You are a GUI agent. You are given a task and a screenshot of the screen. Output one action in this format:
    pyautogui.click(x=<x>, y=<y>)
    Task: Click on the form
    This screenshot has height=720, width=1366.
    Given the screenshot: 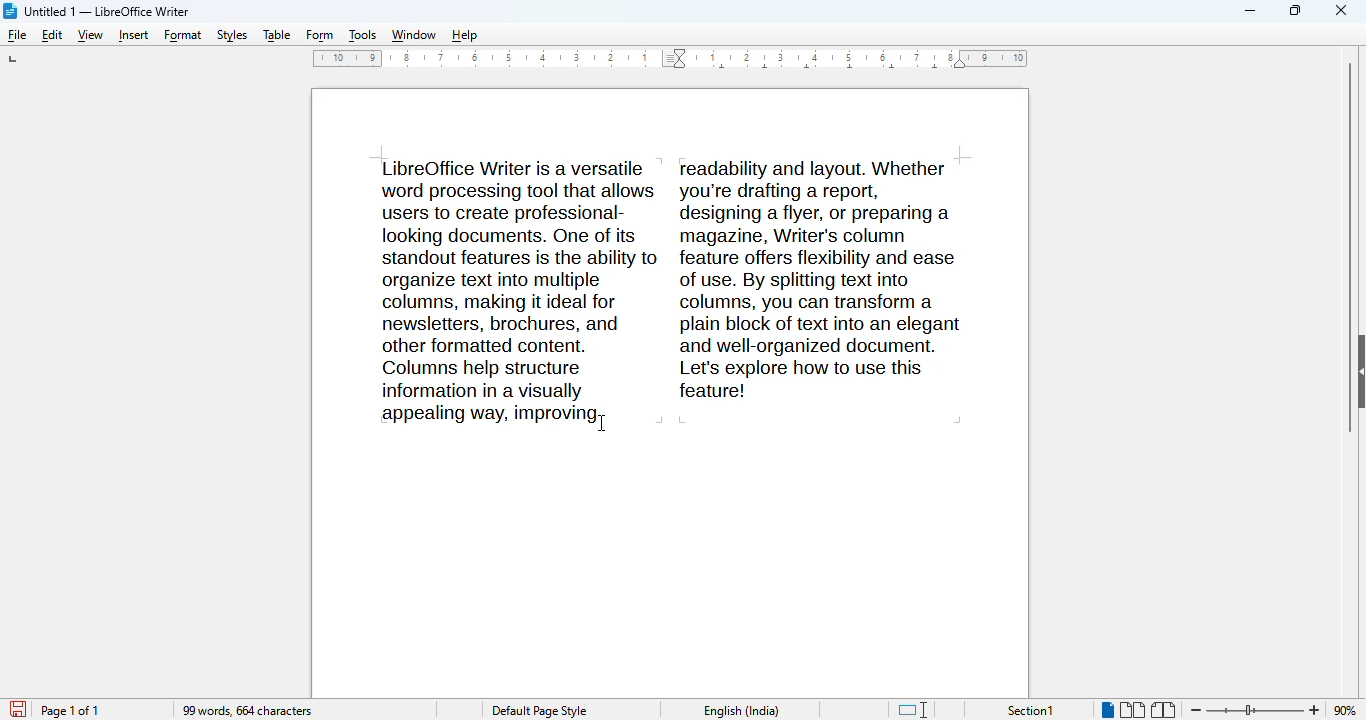 What is the action you would take?
    pyautogui.click(x=320, y=37)
    